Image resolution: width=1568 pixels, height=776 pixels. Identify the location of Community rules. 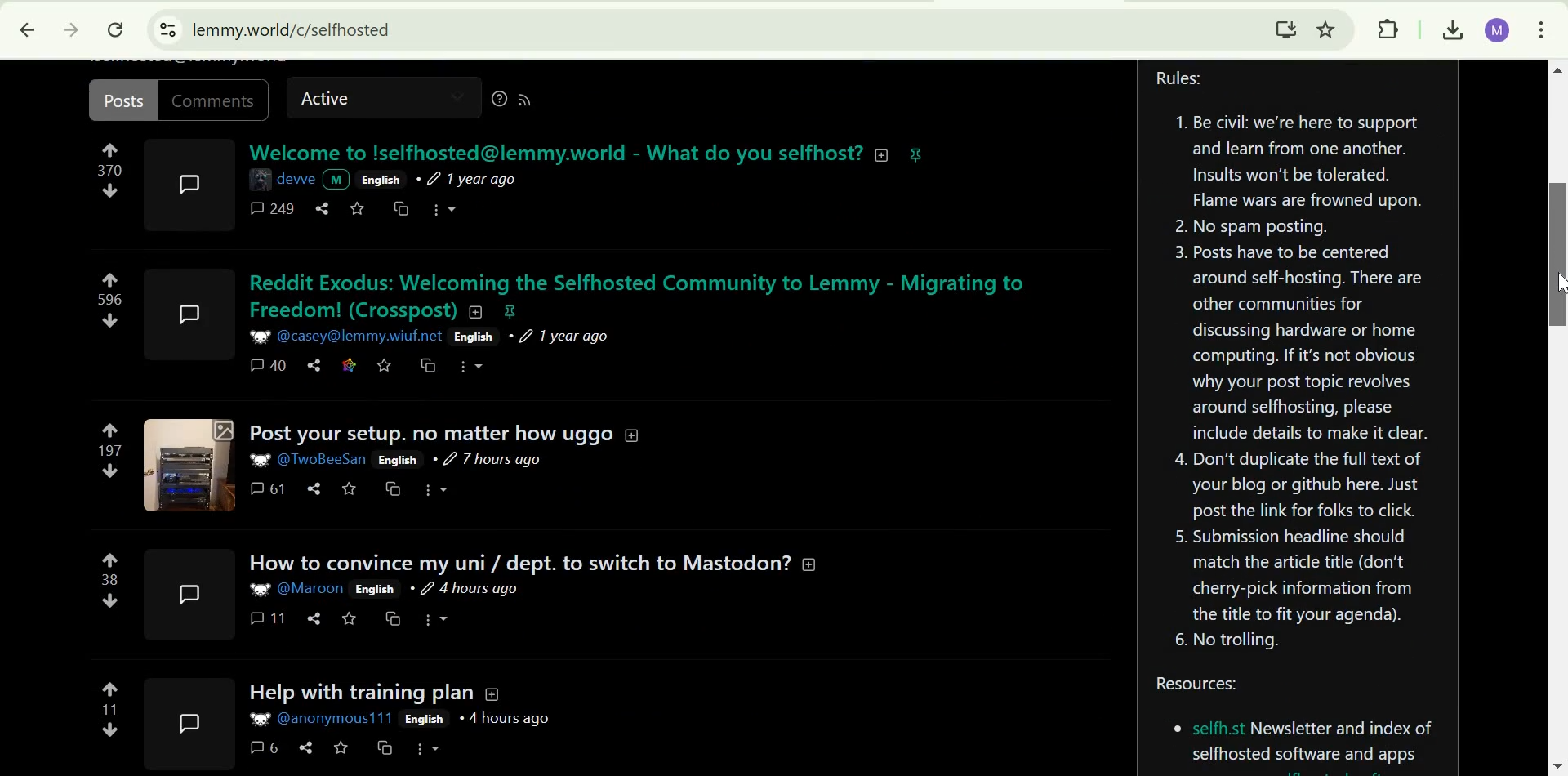
(1299, 365).